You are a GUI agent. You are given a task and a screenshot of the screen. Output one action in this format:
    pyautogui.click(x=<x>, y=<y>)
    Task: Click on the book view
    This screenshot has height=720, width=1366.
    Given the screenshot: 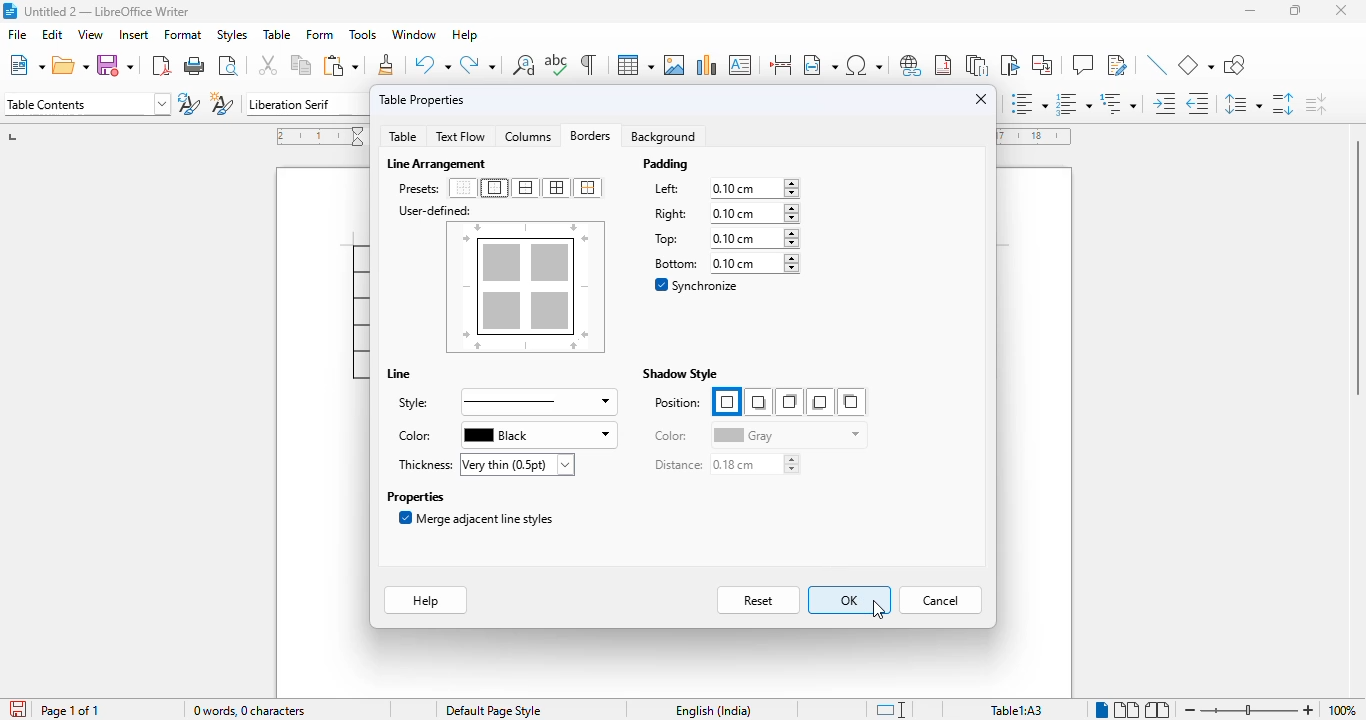 What is the action you would take?
    pyautogui.click(x=1158, y=710)
    